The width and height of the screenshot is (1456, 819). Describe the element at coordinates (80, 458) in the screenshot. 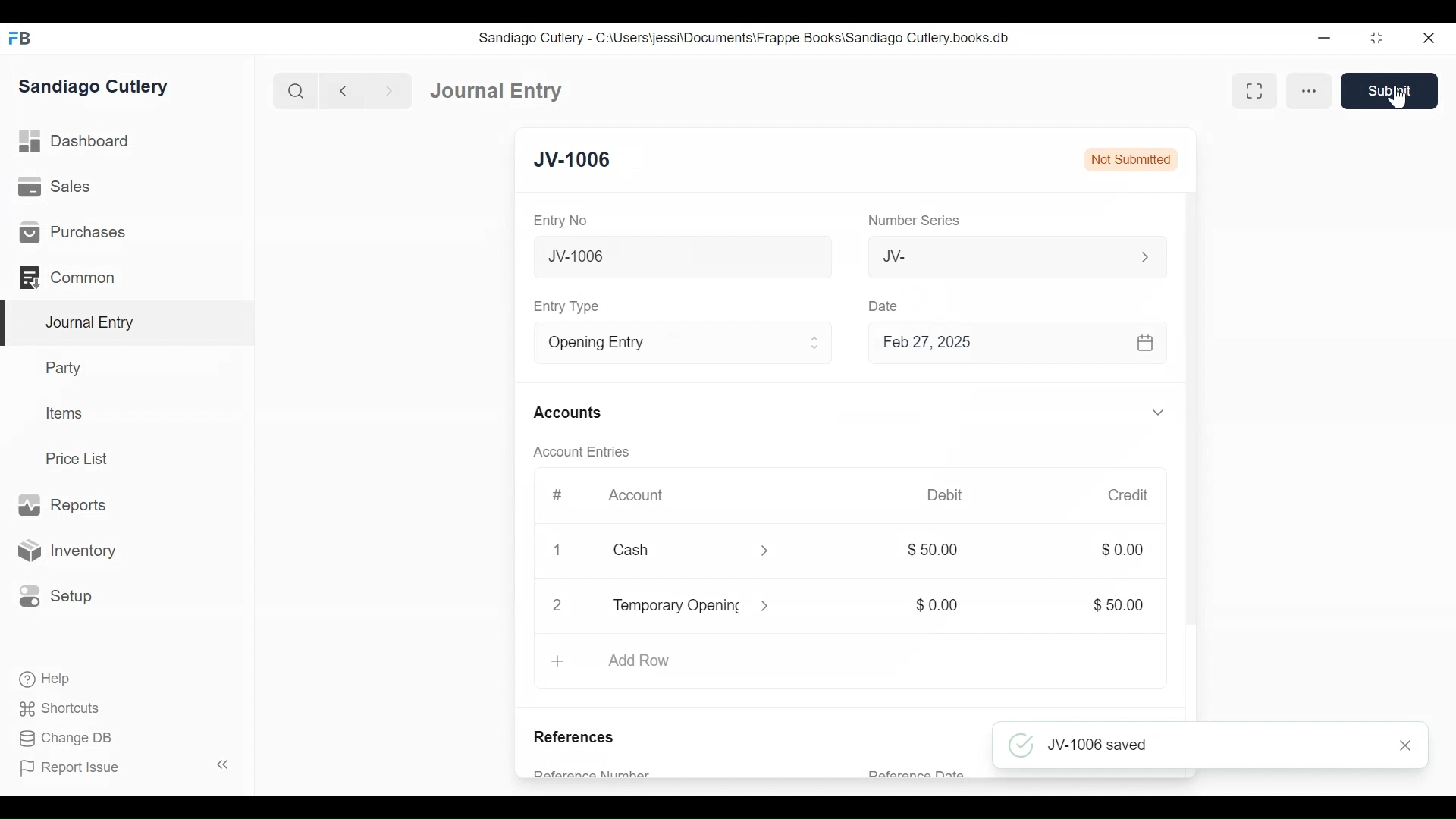

I see `Price List` at that location.